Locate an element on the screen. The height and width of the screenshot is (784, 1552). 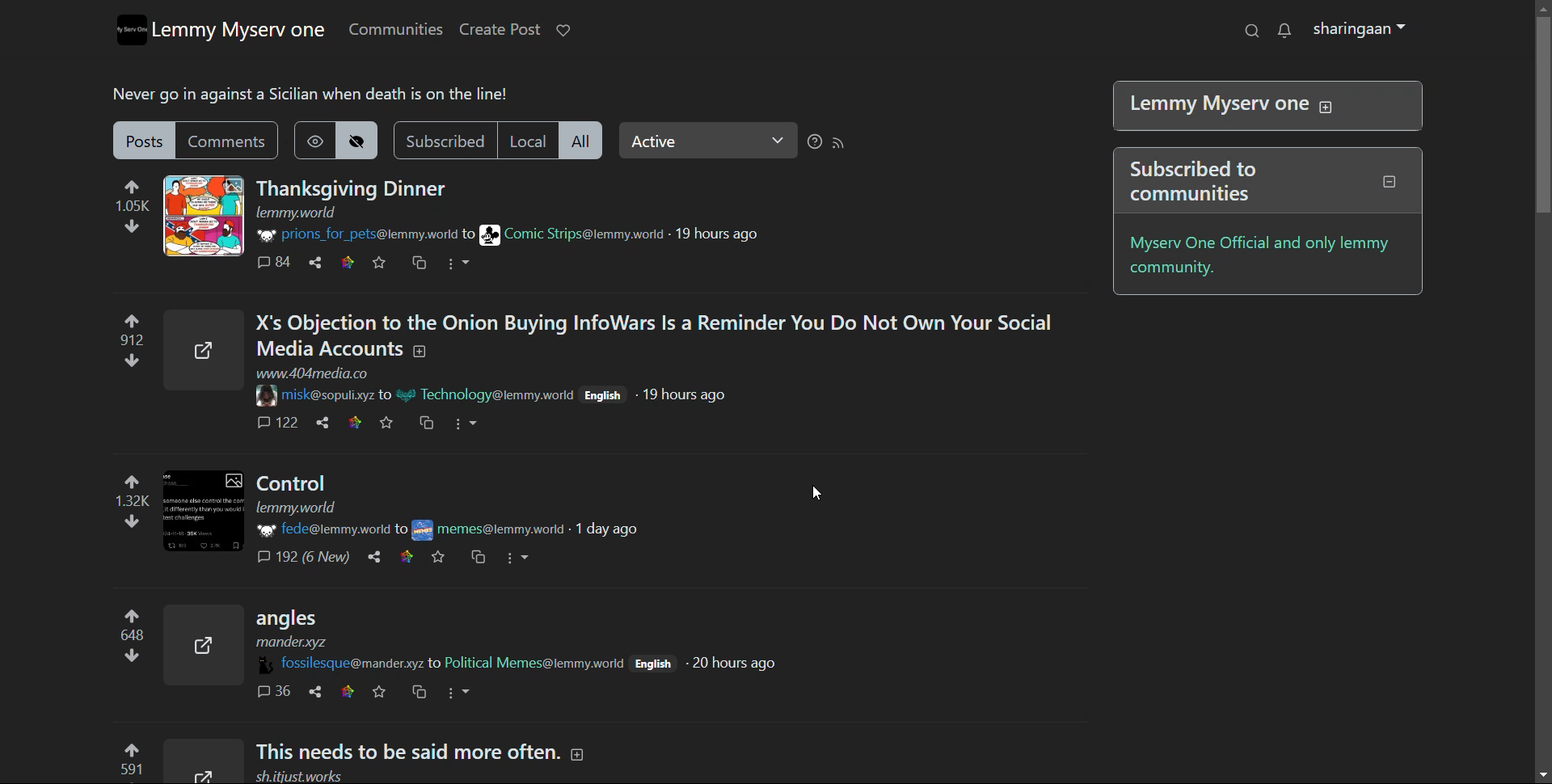
username is located at coordinates (323, 394).